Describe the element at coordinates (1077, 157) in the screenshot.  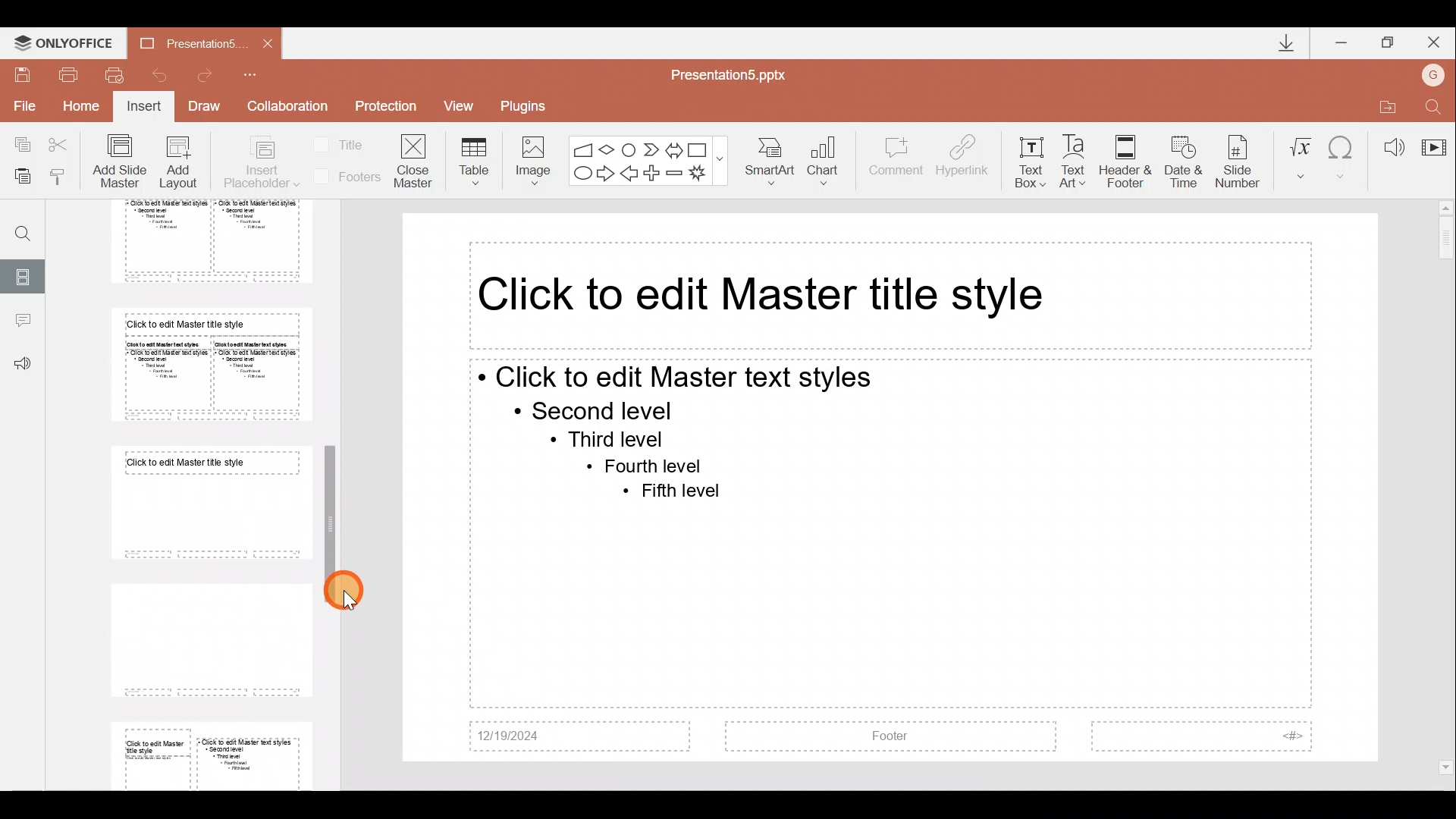
I see `Text Art` at that location.